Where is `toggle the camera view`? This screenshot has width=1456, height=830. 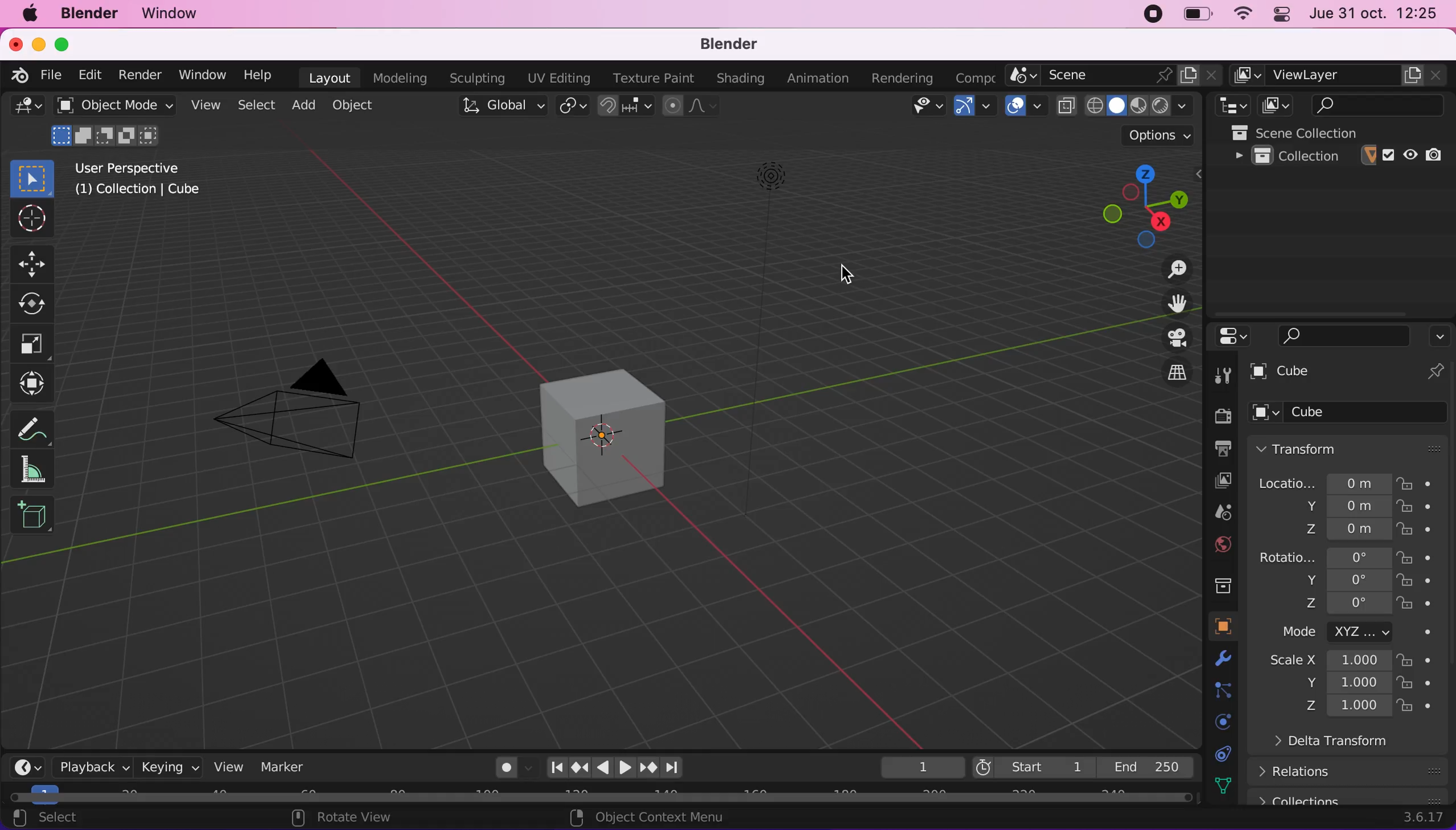
toggle the camera view is located at coordinates (1166, 337).